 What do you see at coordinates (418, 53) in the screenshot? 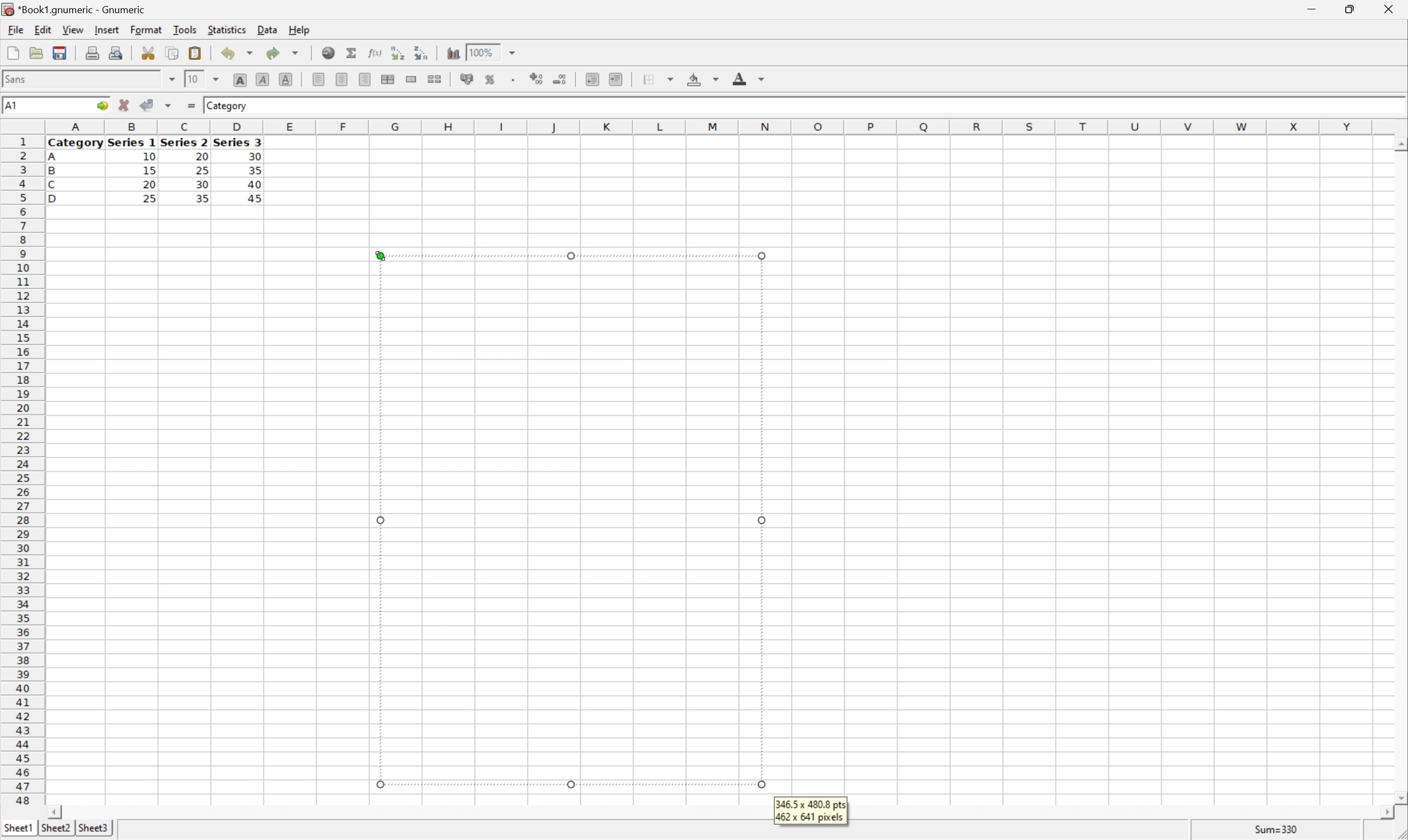
I see `Sort the selected region in descending order based on the first column selected` at bounding box center [418, 53].